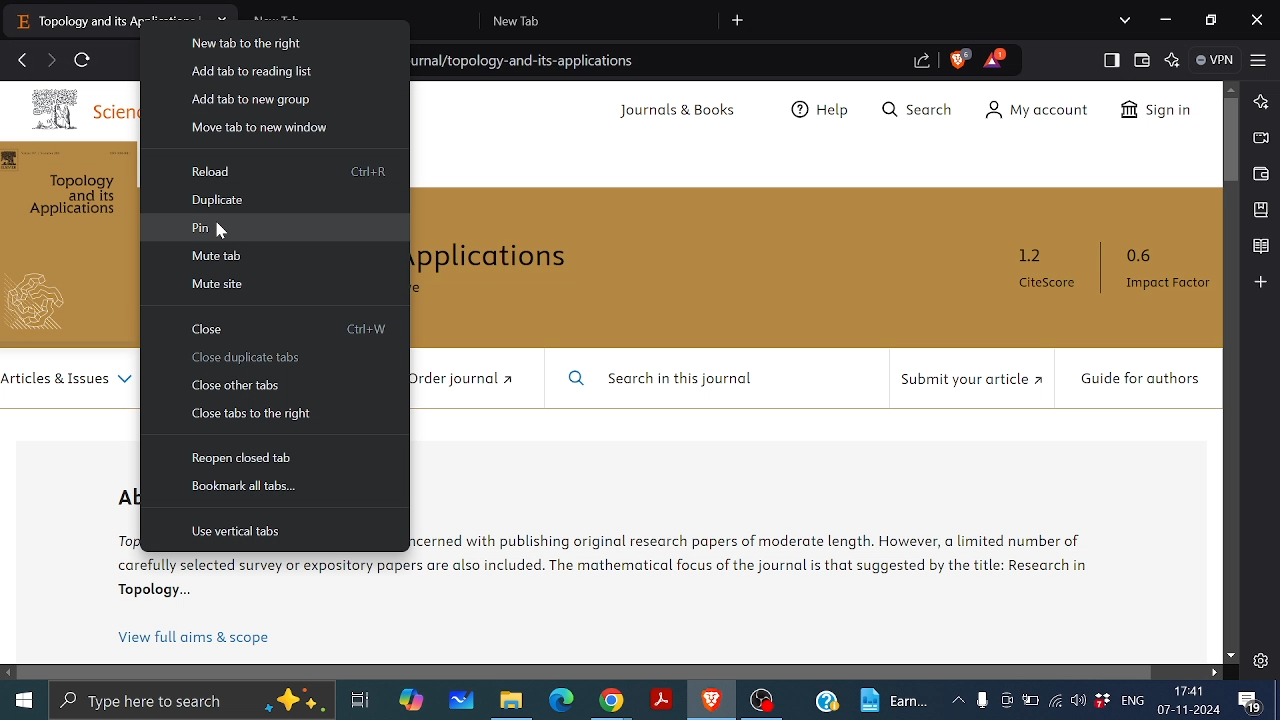 The width and height of the screenshot is (1280, 720). I want to click on Minimize, so click(1167, 21).